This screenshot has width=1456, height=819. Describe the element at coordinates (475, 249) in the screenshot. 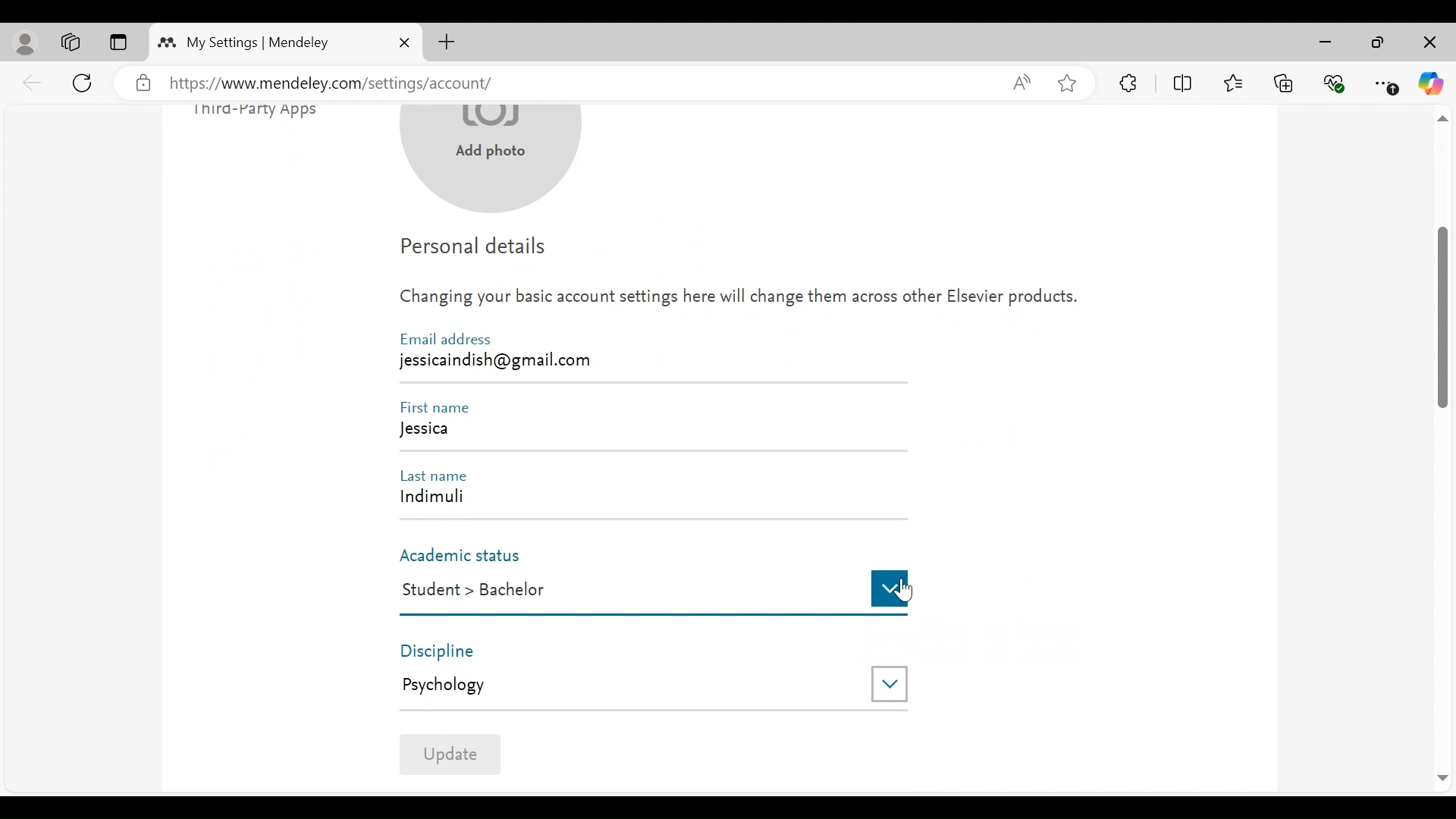

I see `Personal Details` at that location.